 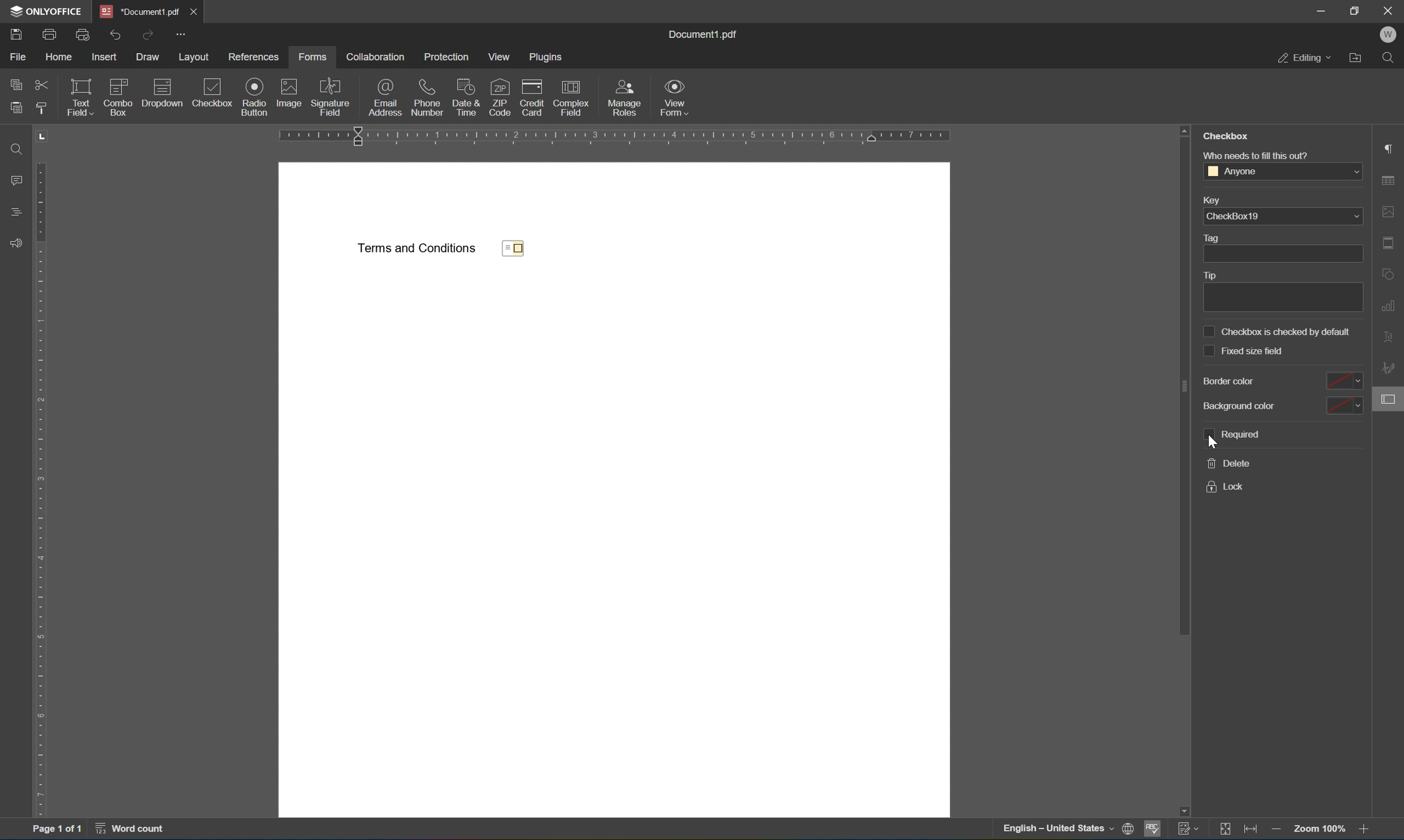 What do you see at coordinates (264, 108) in the screenshot?
I see `insert checkbox` at bounding box center [264, 108].